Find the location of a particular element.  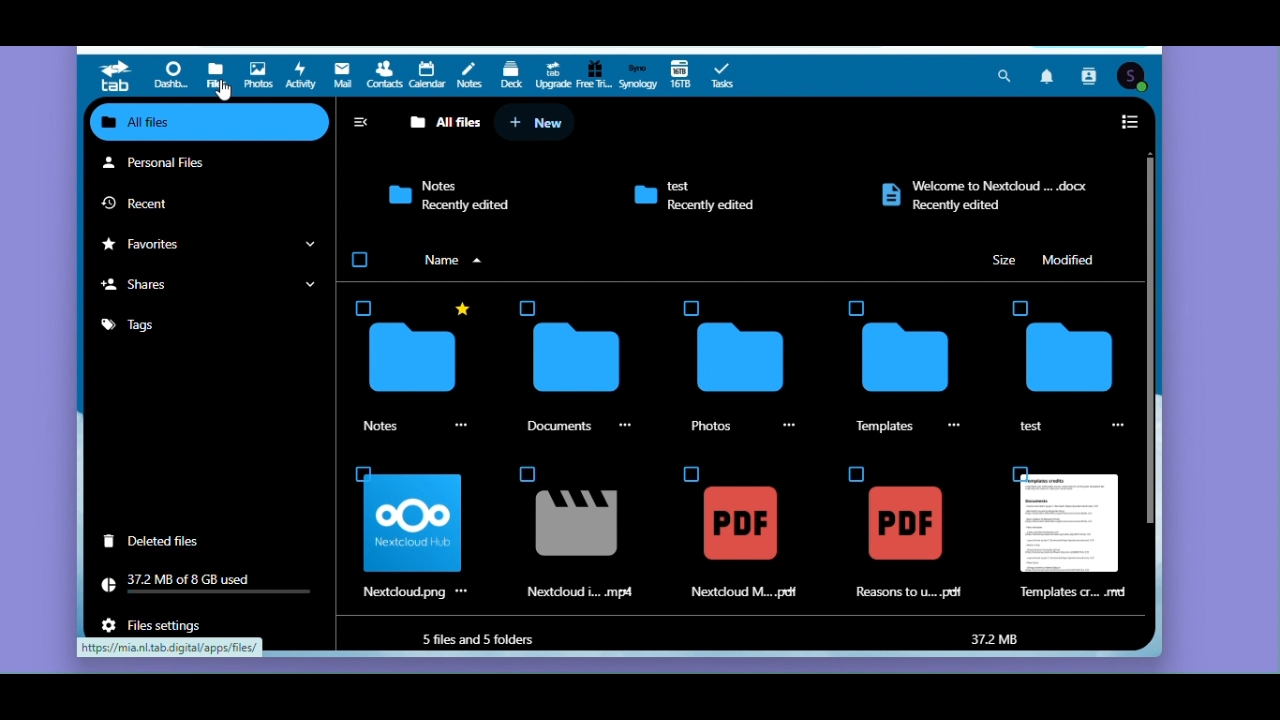

All files is located at coordinates (449, 123).